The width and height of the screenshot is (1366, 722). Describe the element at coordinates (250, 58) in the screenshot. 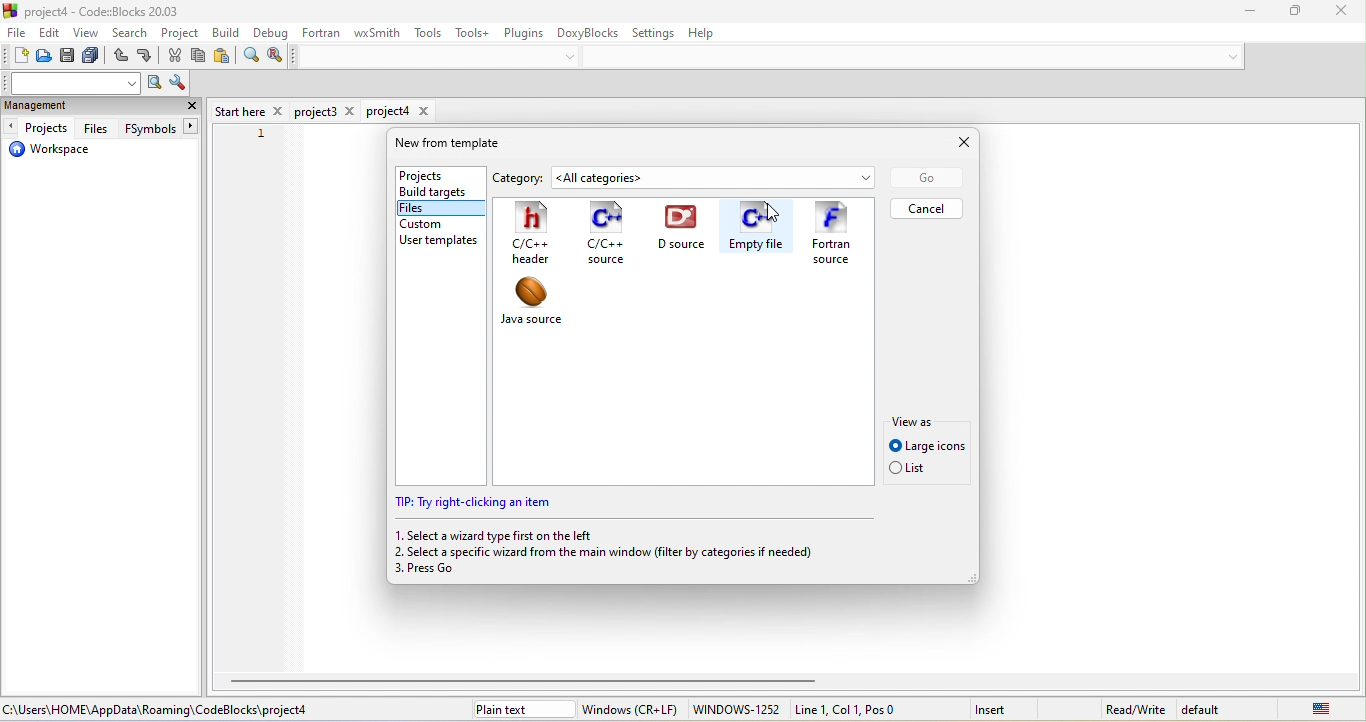

I see `find` at that location.